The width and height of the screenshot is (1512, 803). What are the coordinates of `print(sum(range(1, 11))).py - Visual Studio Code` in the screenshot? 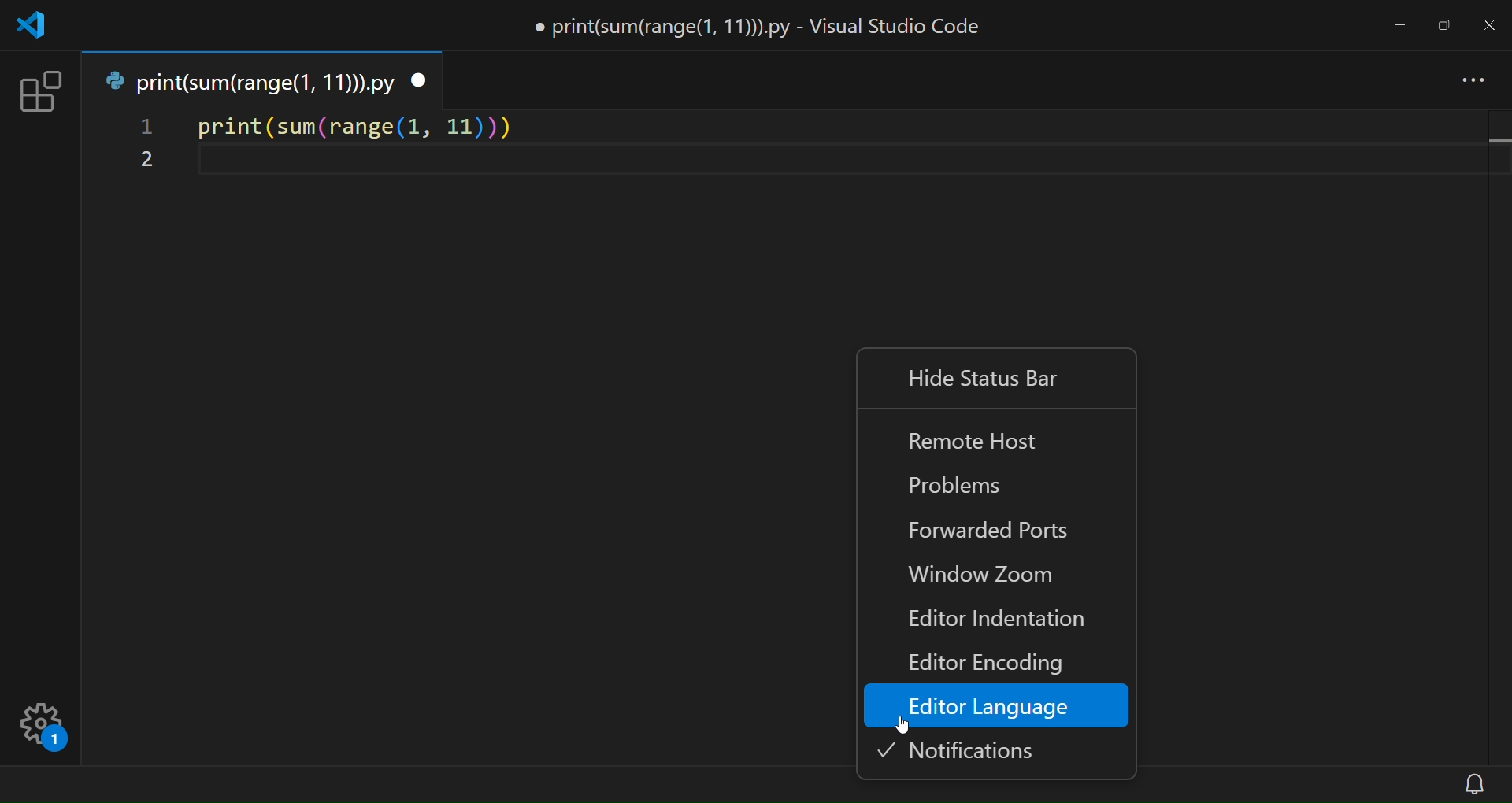 It's located at (767, 27).